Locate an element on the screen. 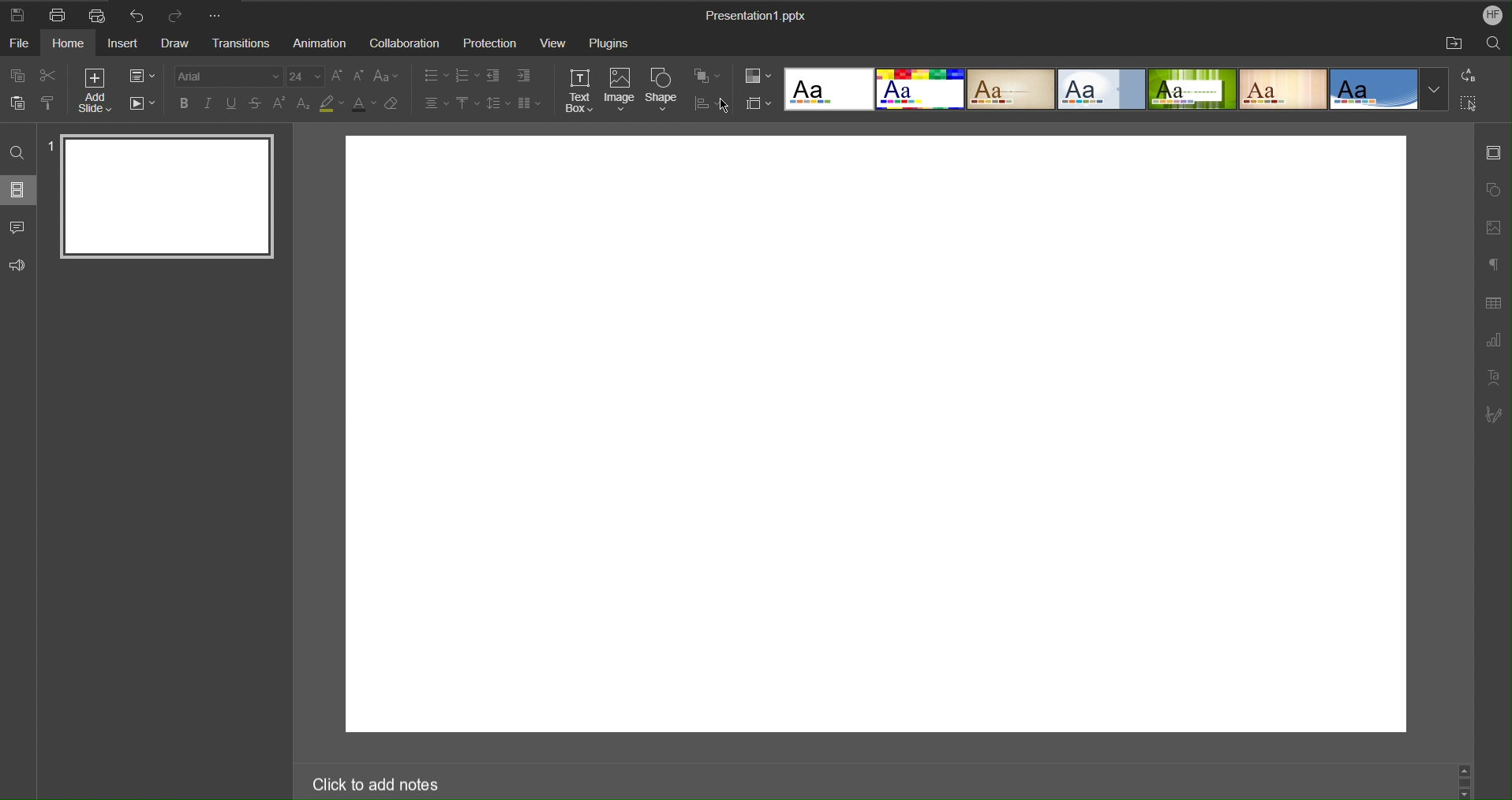 The width and height of the screenshot is (1512, 800). Strikethrough is located at coordinates (256, 105).